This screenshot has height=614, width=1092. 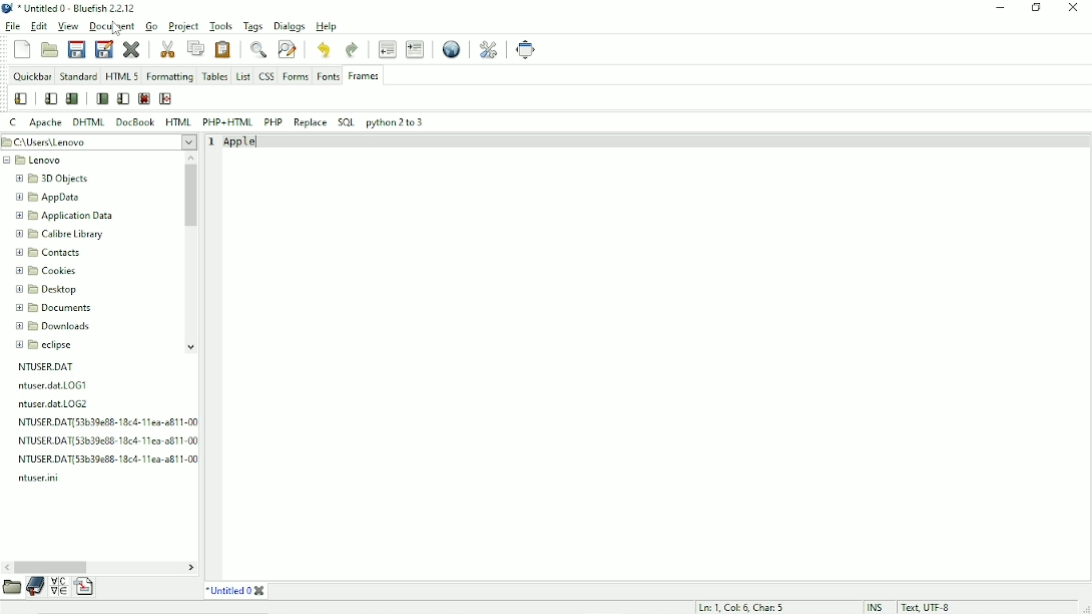 What do you see at coordinates (47, 344) in the screenshot?
I see `eclipse` at bounding box center [47, 344].